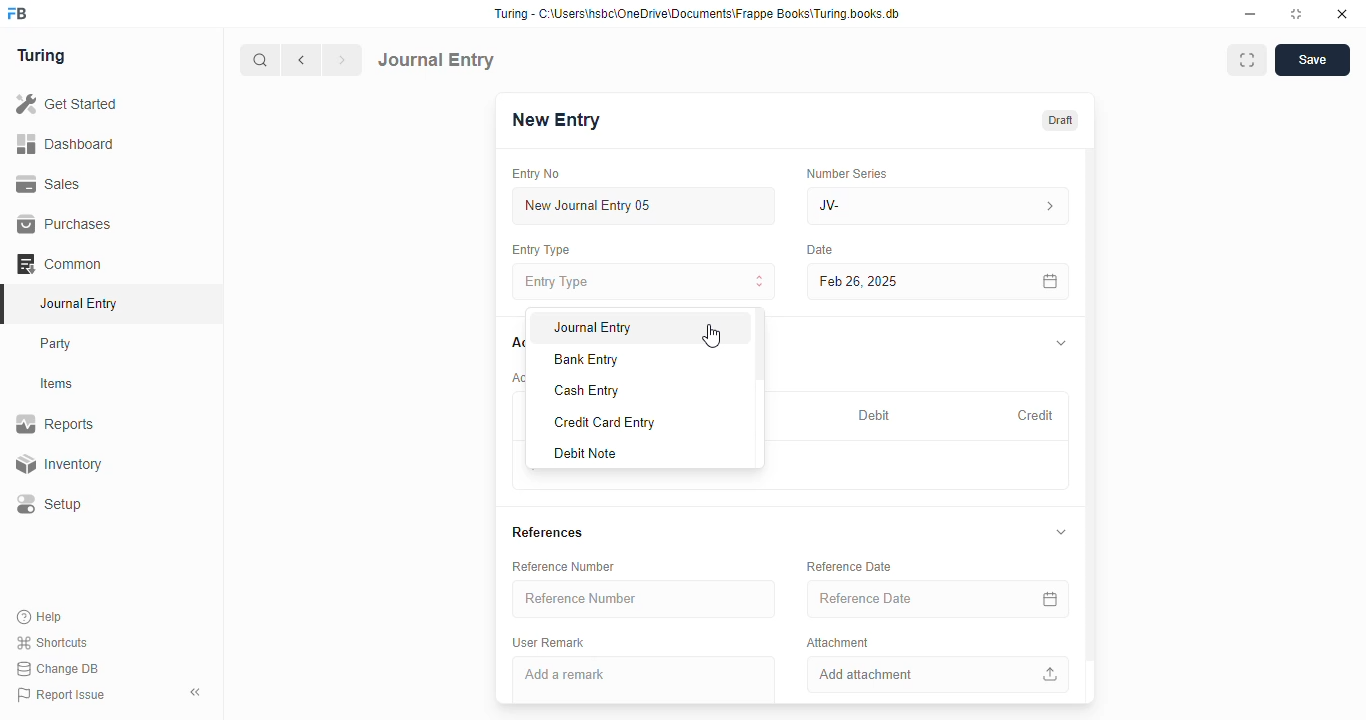 The width and height of the screenshot is (1366, 720). I want to click on add attachment, so click(939, 674).